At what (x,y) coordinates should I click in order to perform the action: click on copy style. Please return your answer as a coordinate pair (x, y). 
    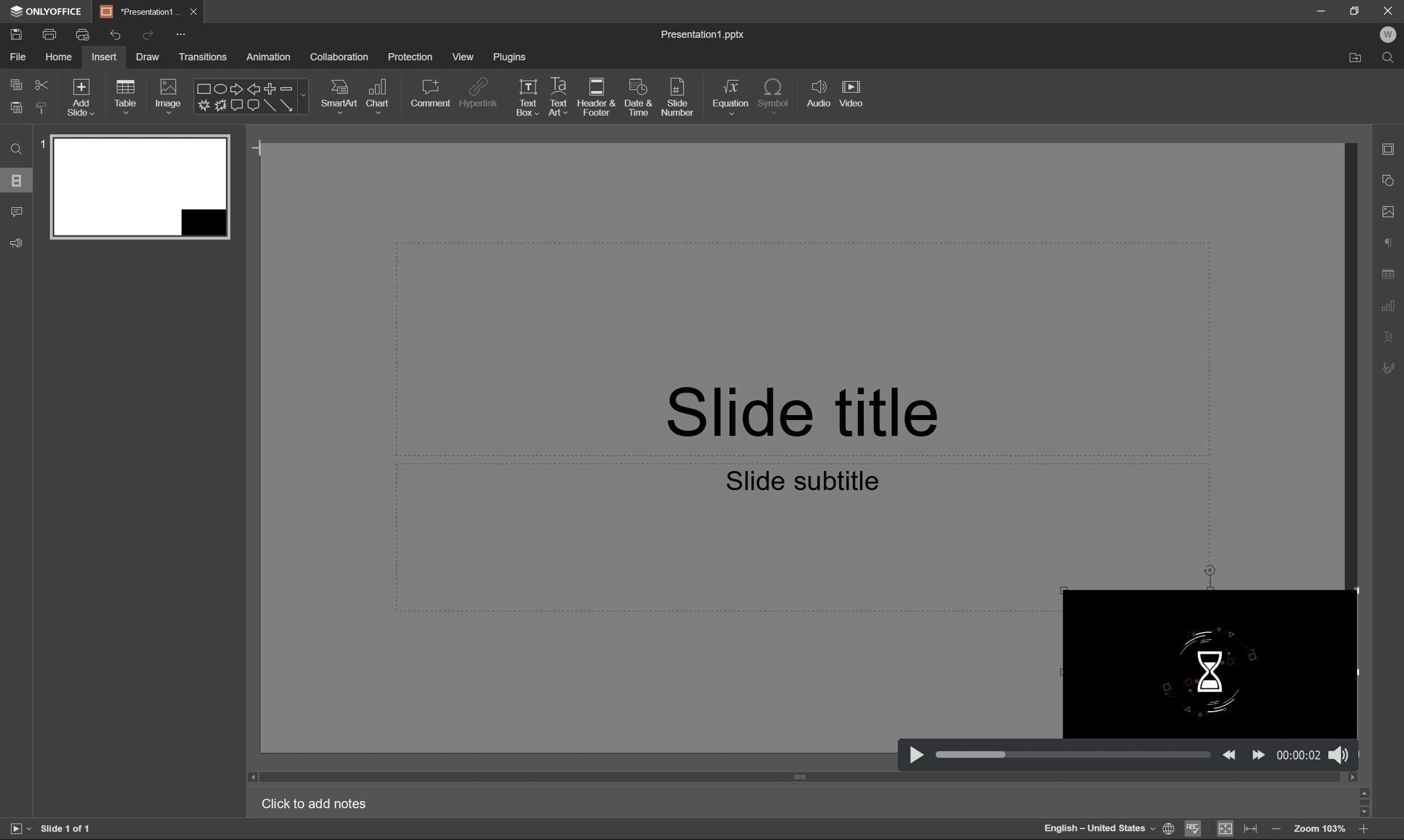
    Looking at the image, I should click on (40, 108).